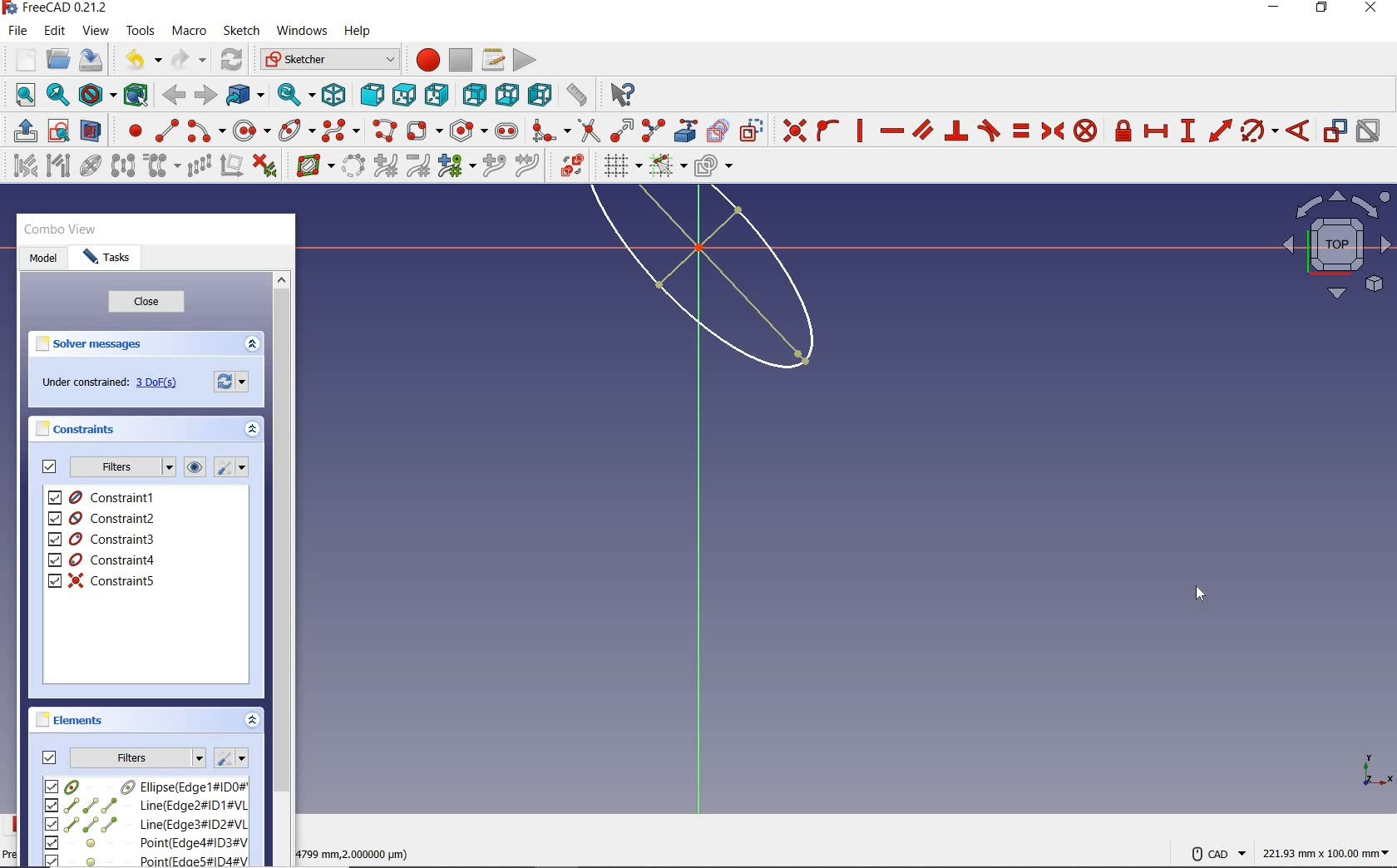 This screenshot has width=1397, height=868. I want to click on toggle driving/ reference constraint, so click(1335, 130).